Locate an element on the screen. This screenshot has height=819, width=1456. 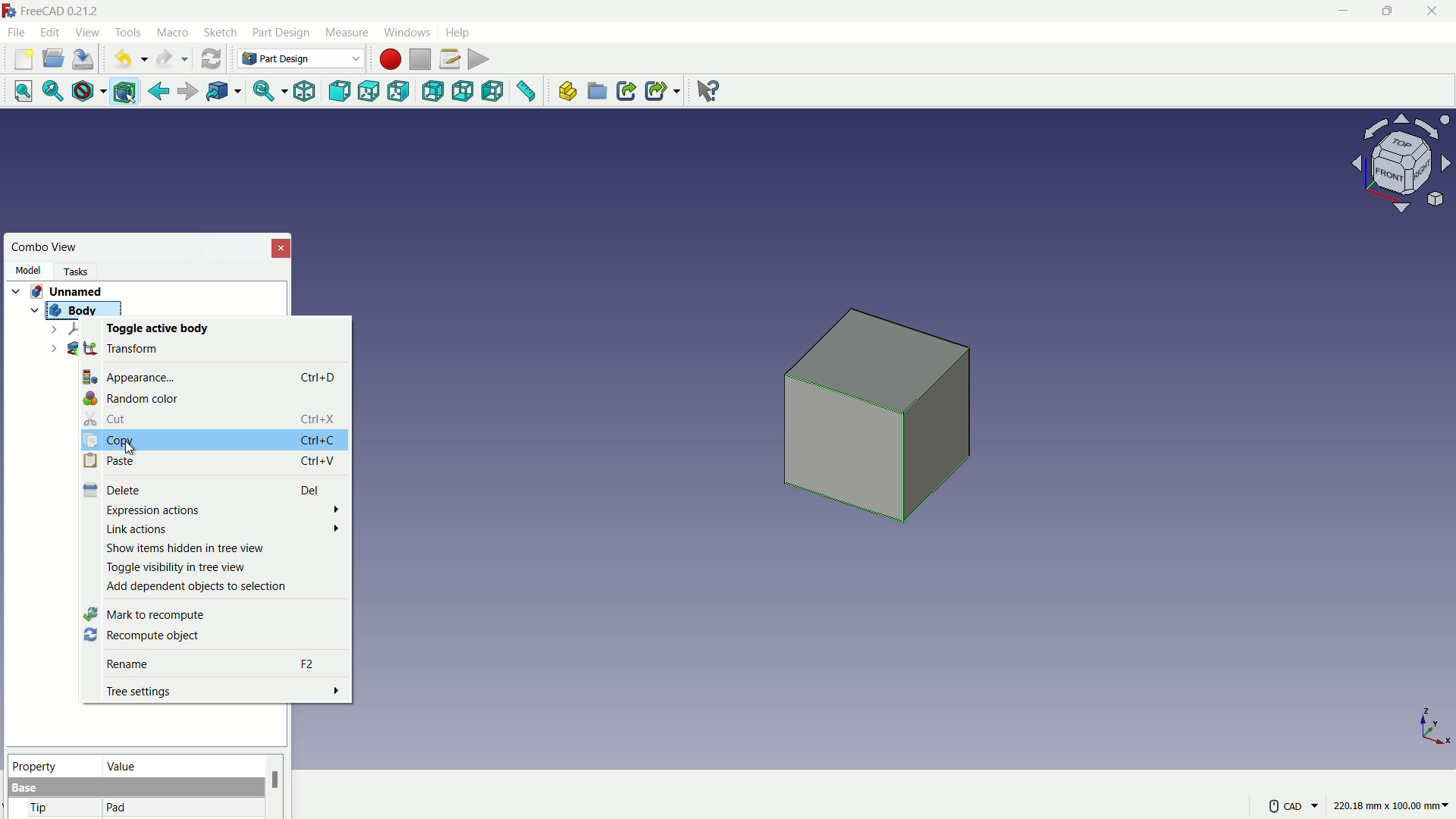
tip is located at coordinates (40, 809).